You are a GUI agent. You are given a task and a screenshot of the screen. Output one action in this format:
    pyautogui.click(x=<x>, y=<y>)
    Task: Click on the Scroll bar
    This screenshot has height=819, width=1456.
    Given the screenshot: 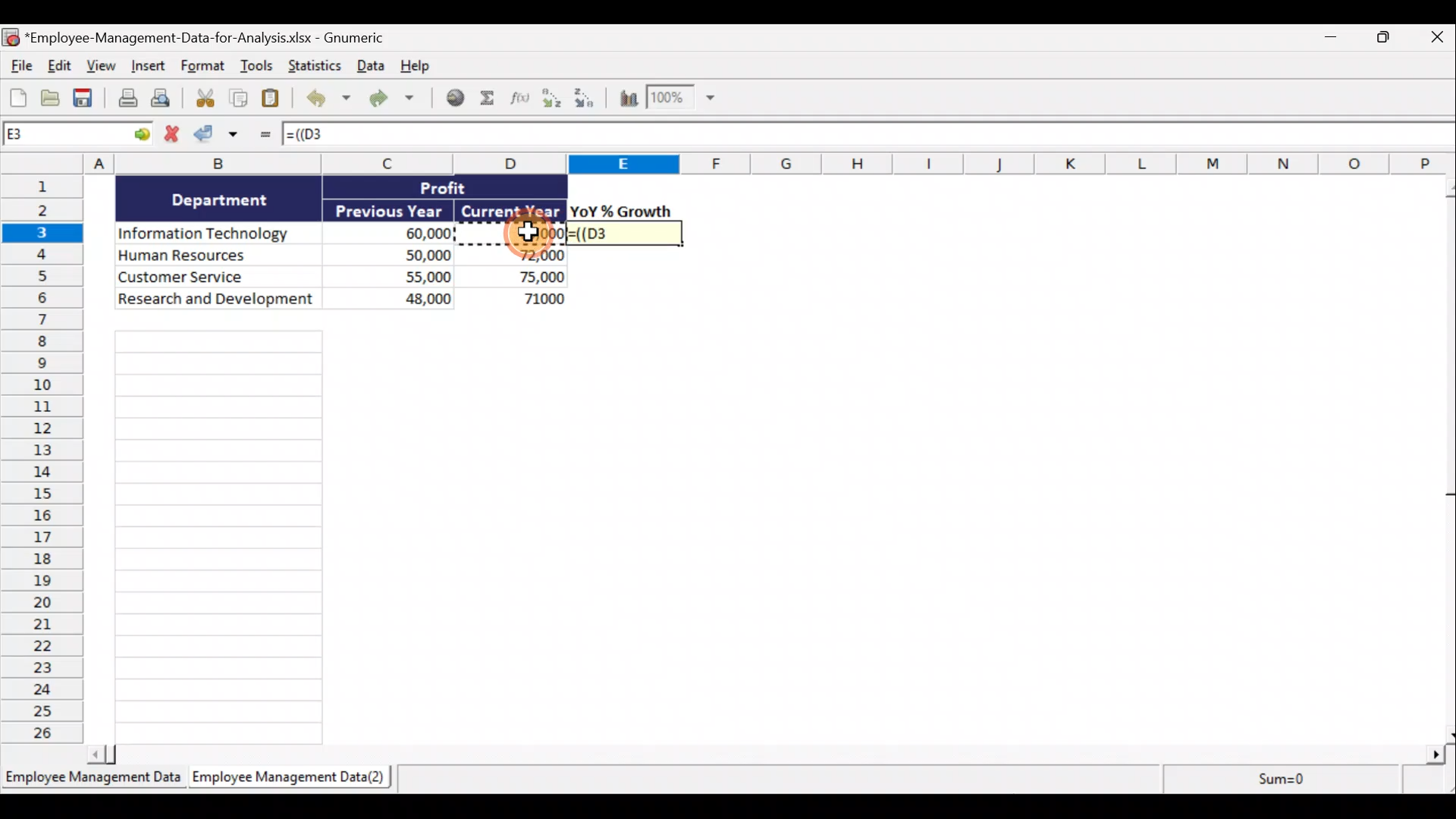 What is the action you would take?
    pyautogui.click(x=766, y=757)
    